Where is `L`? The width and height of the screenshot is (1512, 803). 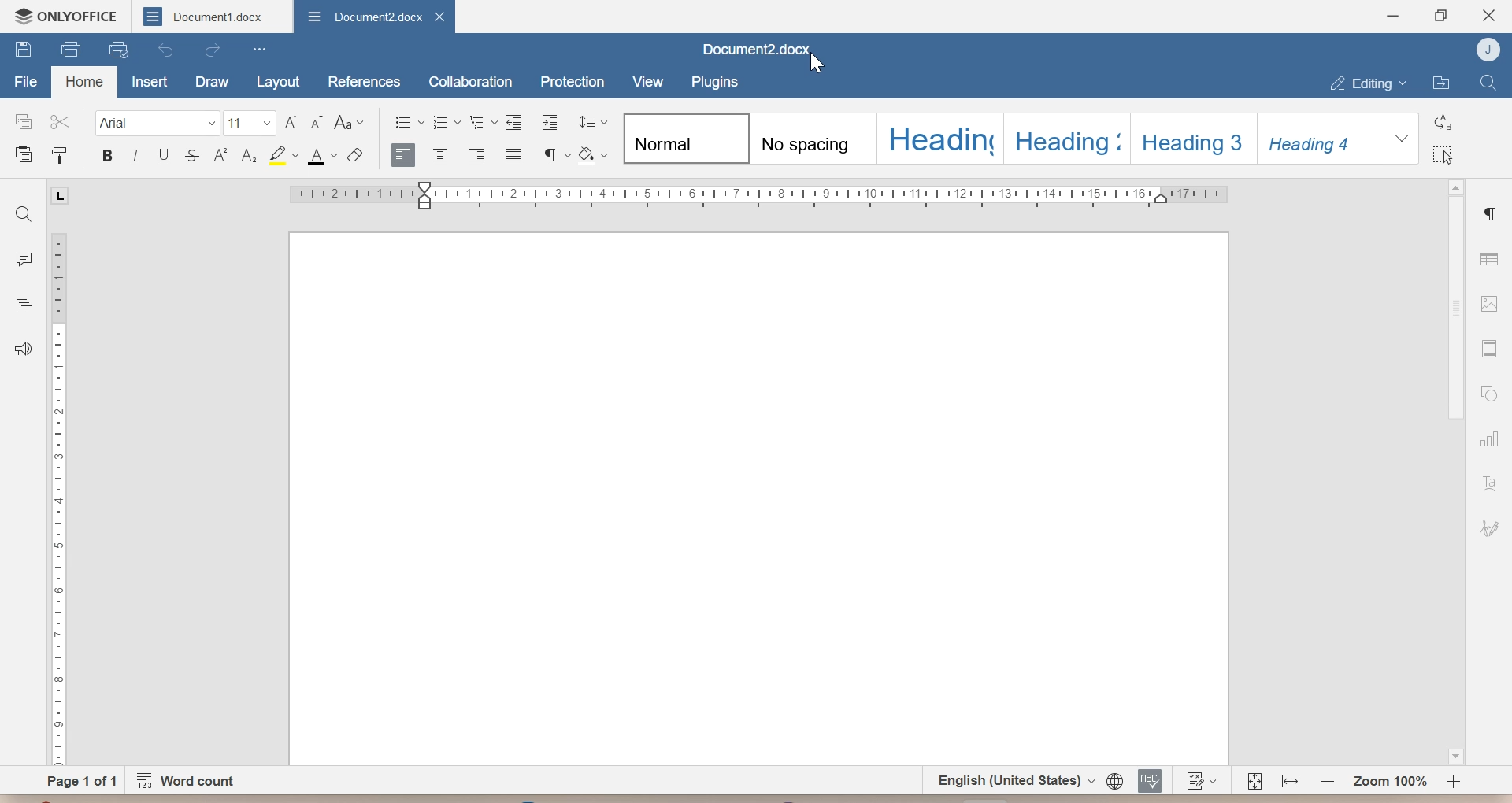 L is located at coordinates (61, 195).